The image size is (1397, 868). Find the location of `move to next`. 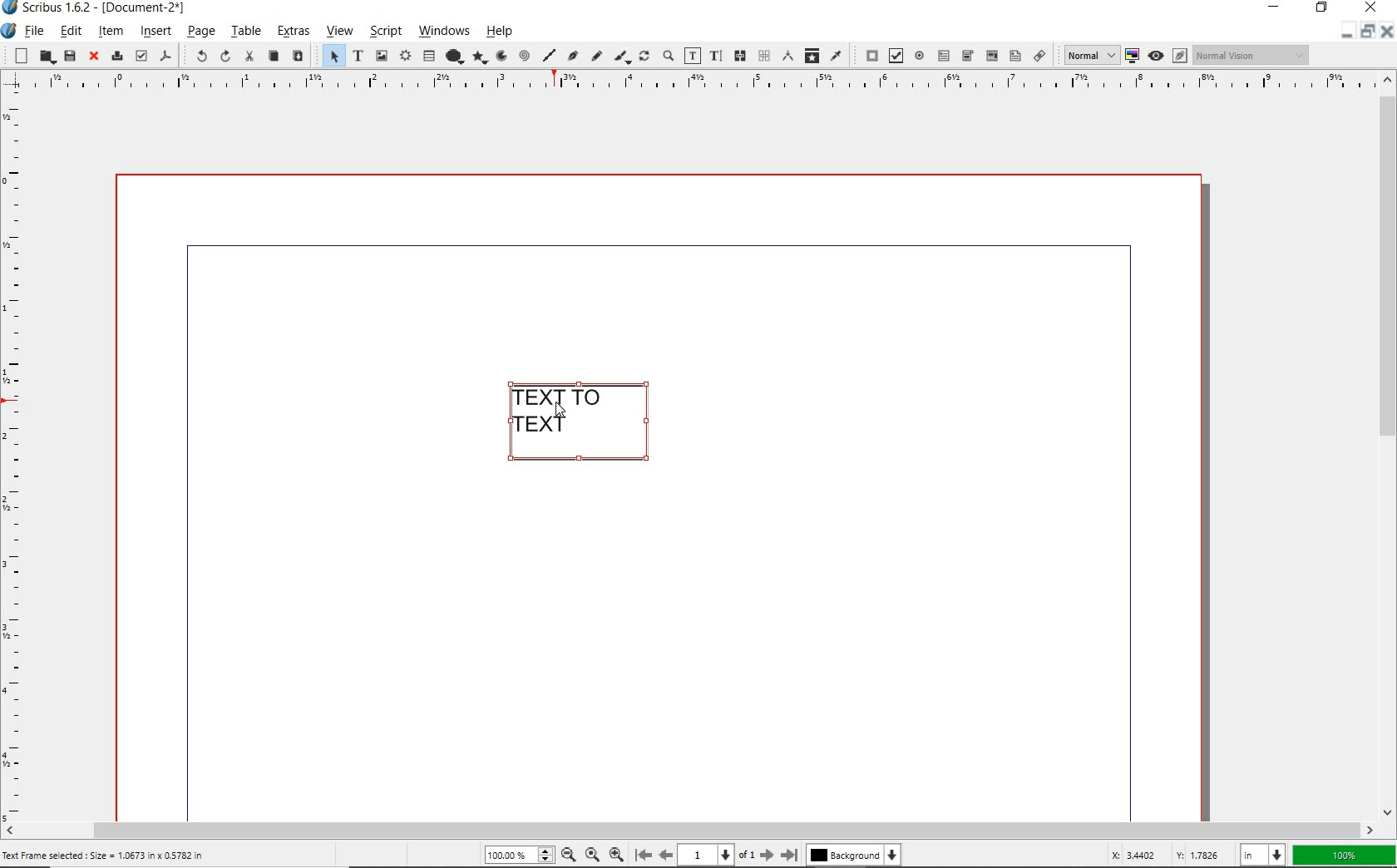

move to next is located at coordinates (770, 857).